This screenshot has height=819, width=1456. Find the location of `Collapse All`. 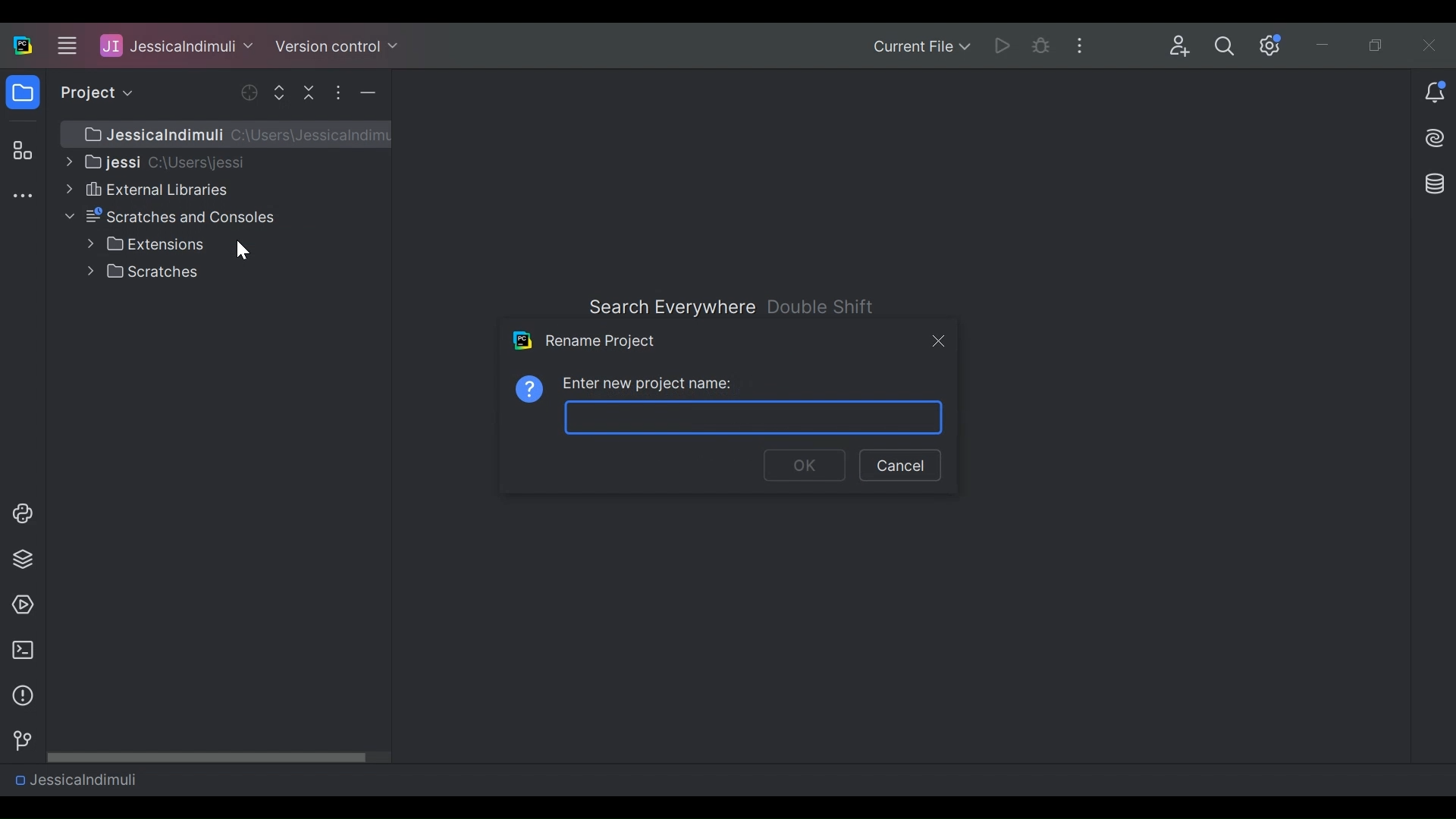

Collapse All is located at coordinates (311, 92).